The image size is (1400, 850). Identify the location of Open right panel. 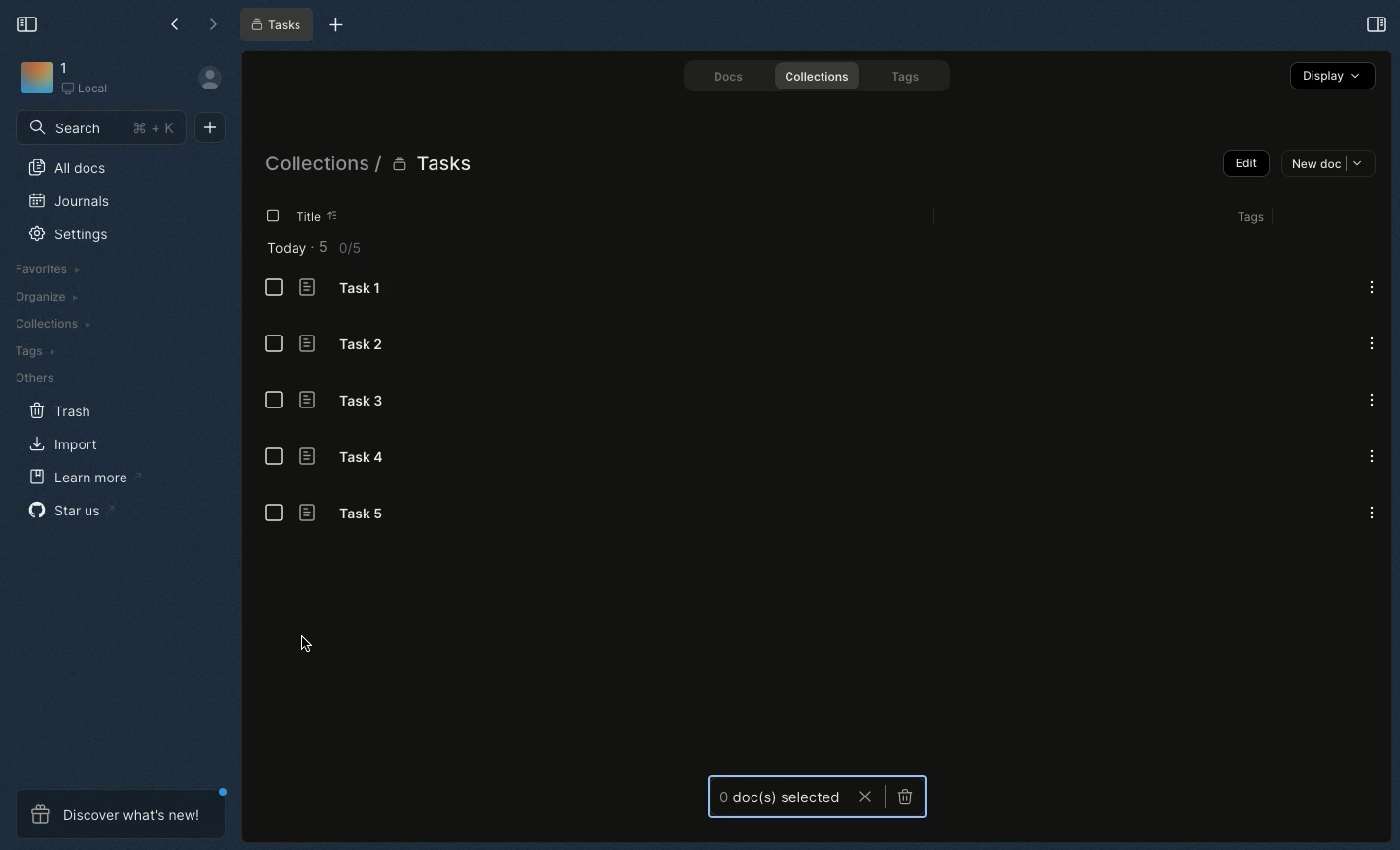
(1378, 24).